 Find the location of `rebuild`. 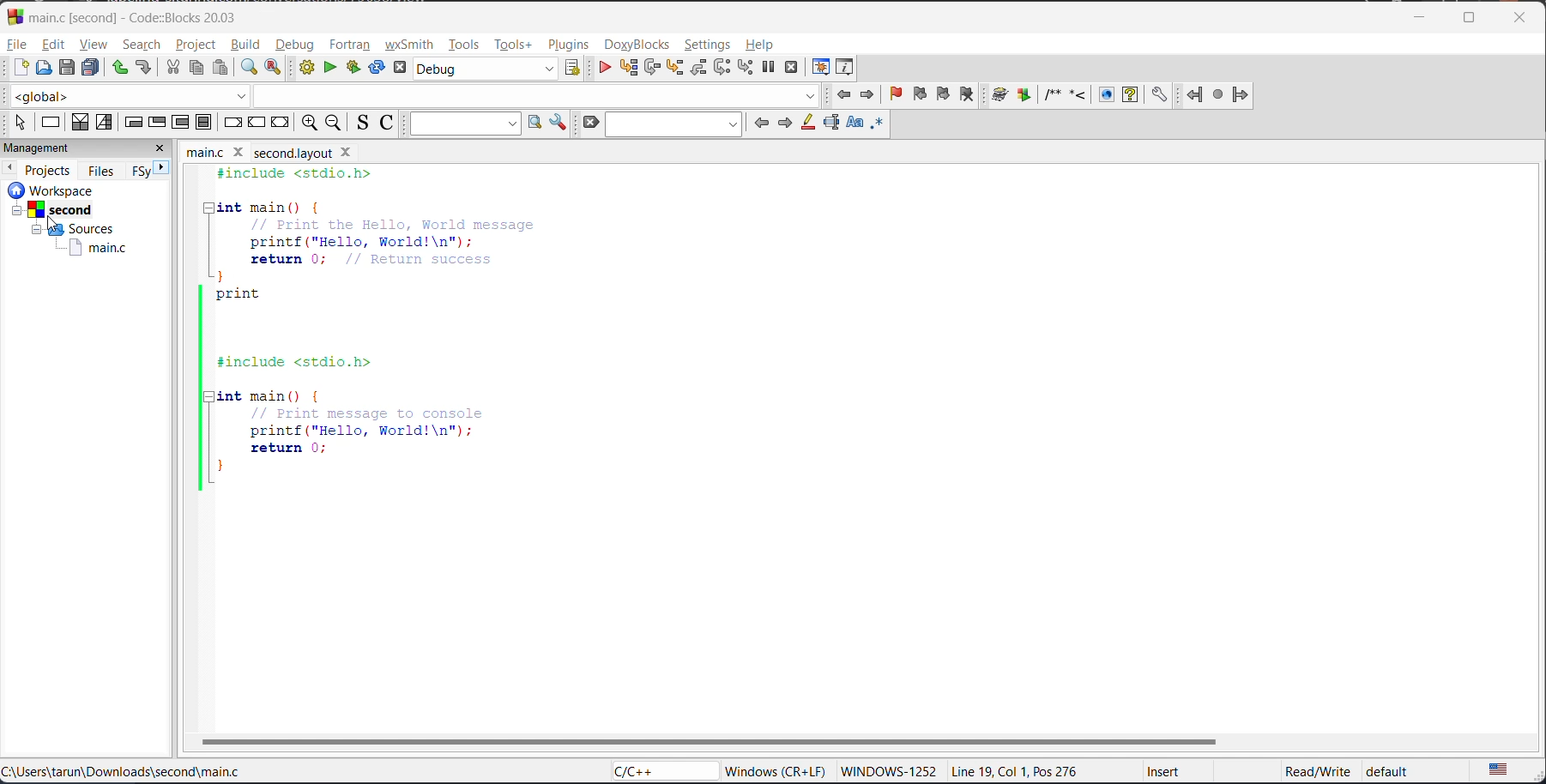

rebuild is located at coordinates (377, 67).